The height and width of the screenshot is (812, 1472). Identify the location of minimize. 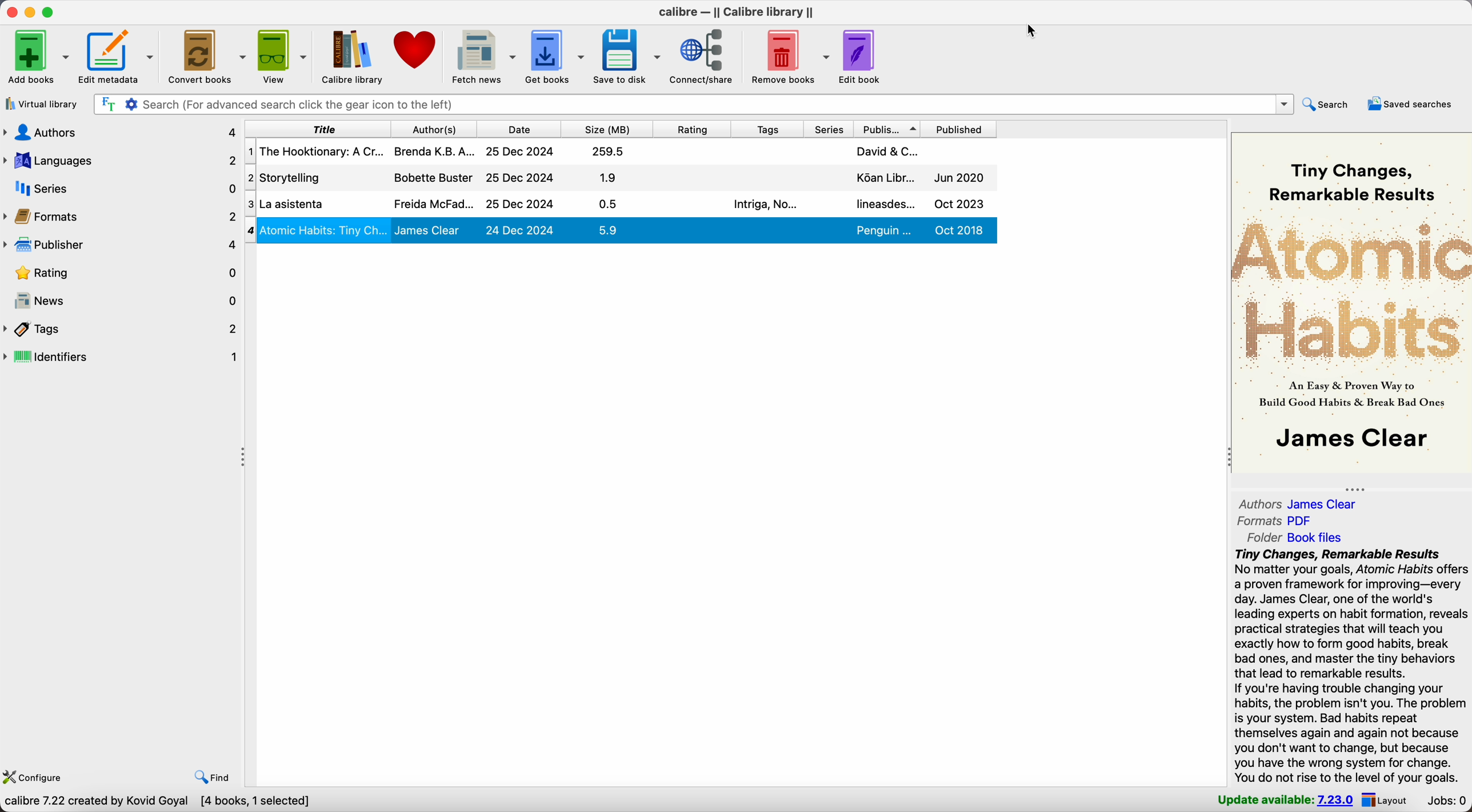
(30, 12).